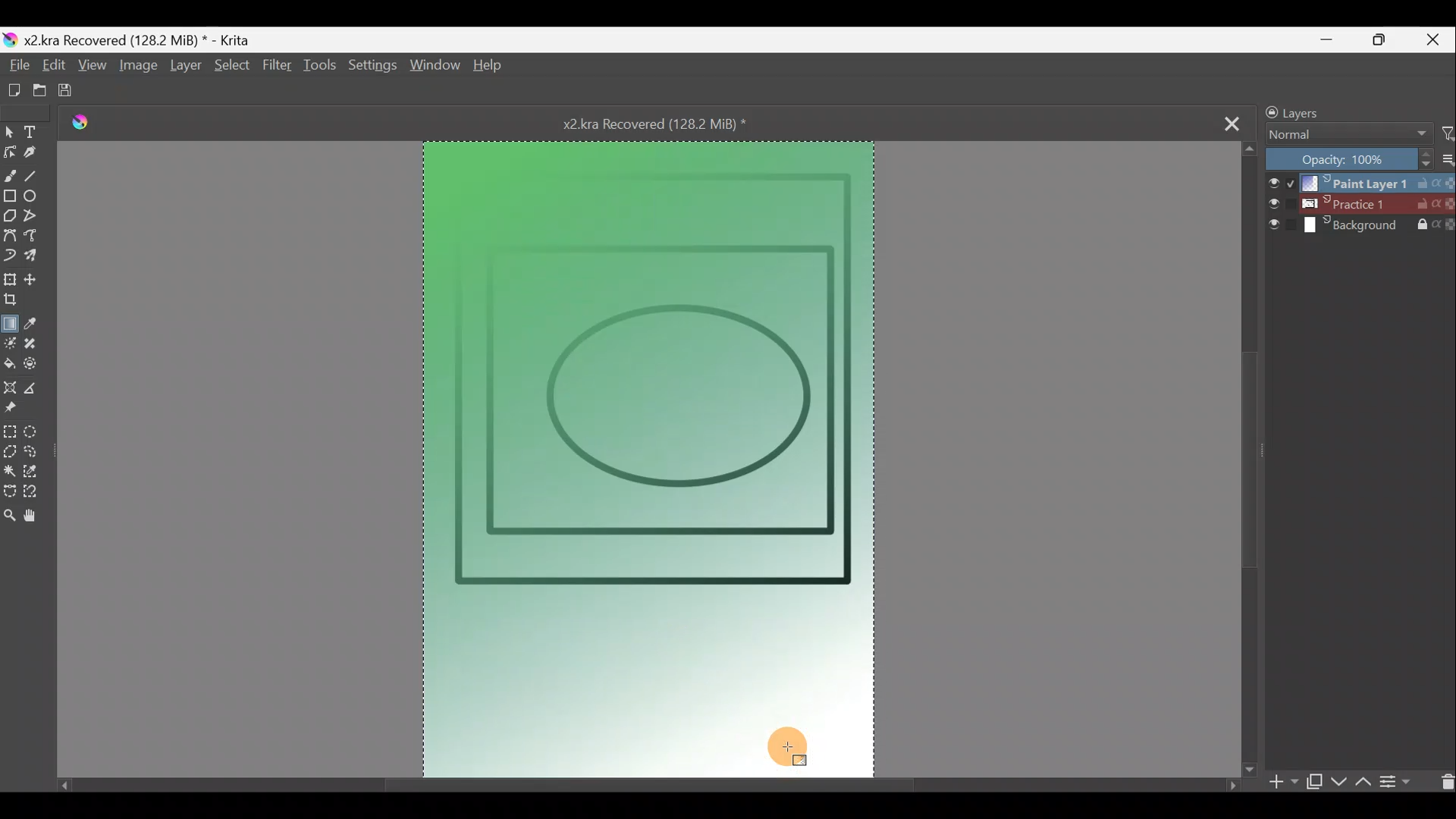  Describe the element at coordinates (1436, 39) in the screenshot. I see `Close` at that location.